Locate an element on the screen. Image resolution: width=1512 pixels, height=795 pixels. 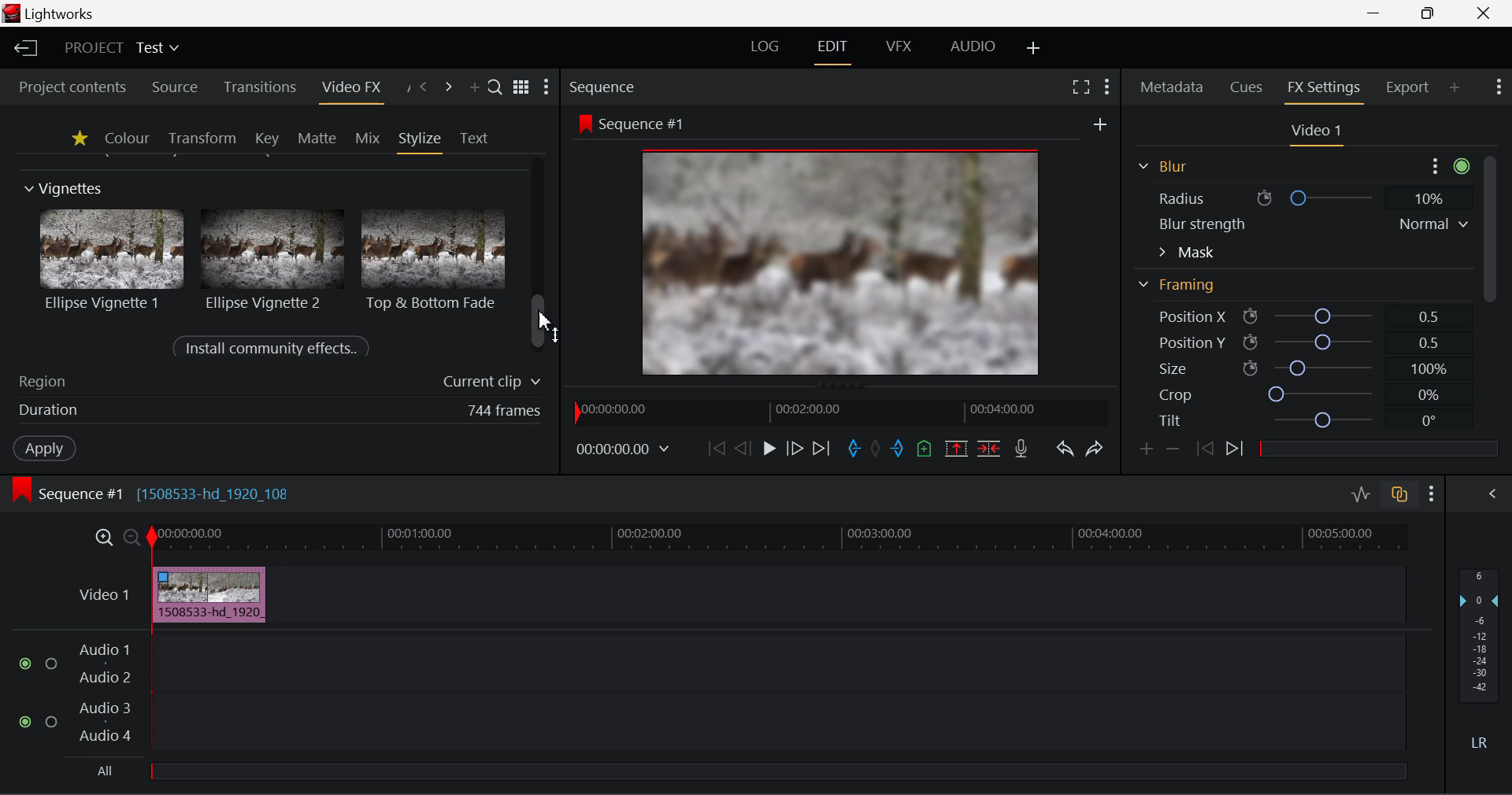
Tilt is located at coordinates (1299, 420).